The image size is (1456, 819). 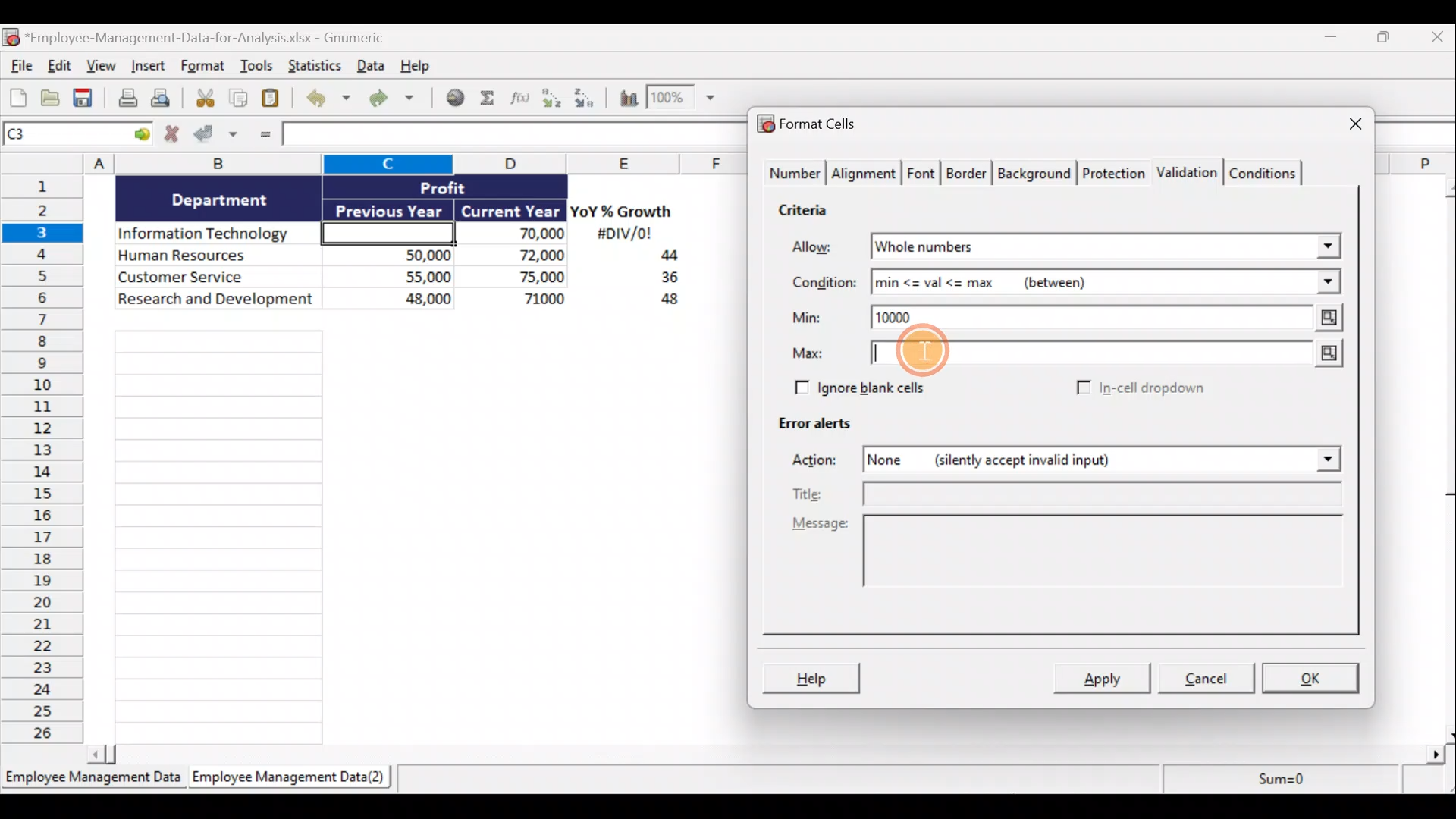 What do you see at coordinates (51, 99) in the screenshot?
I see `Open a file` at bounding box center [51, 99].